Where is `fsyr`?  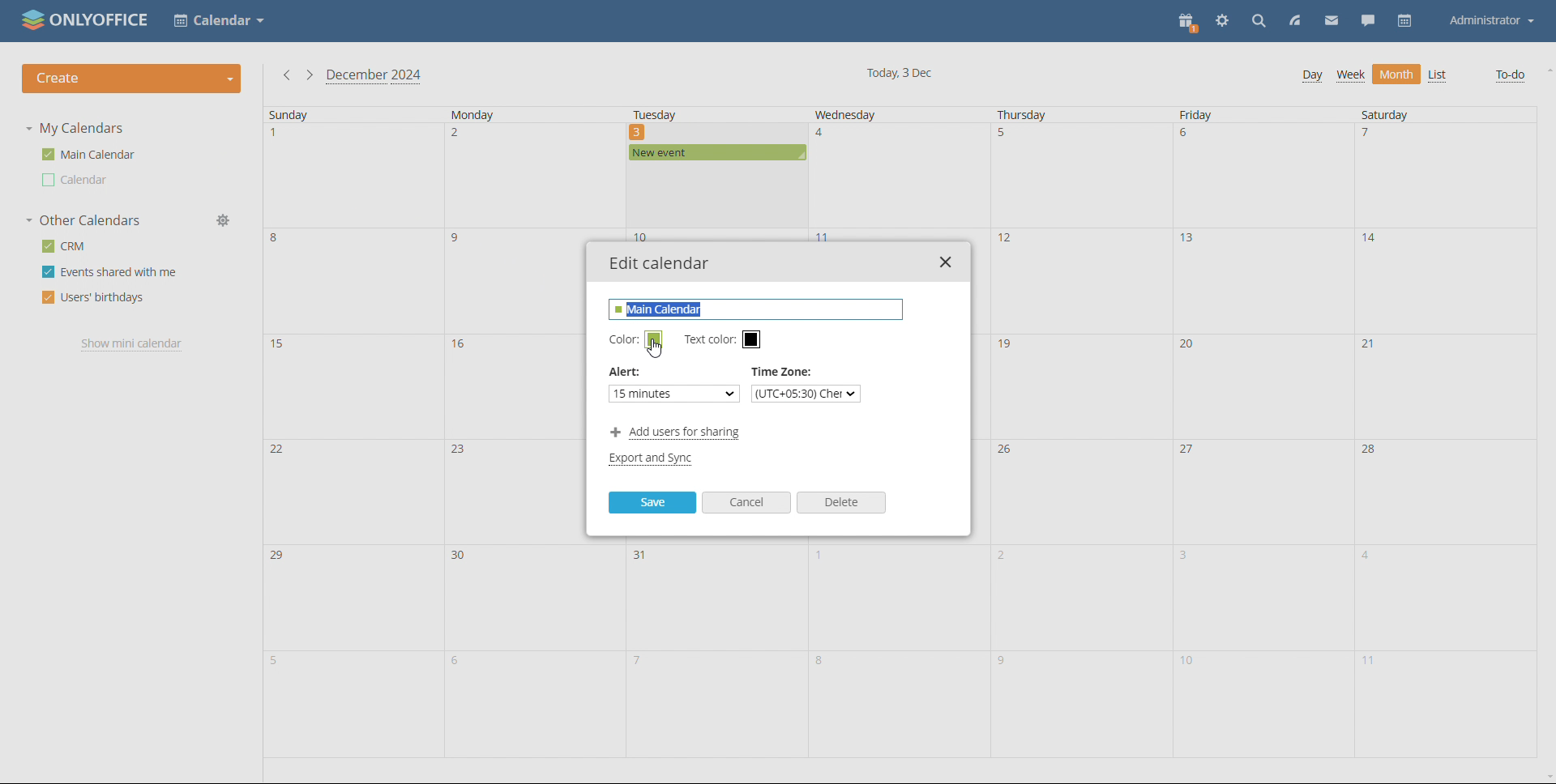
fsyr is located at coordinates (1077, 707).